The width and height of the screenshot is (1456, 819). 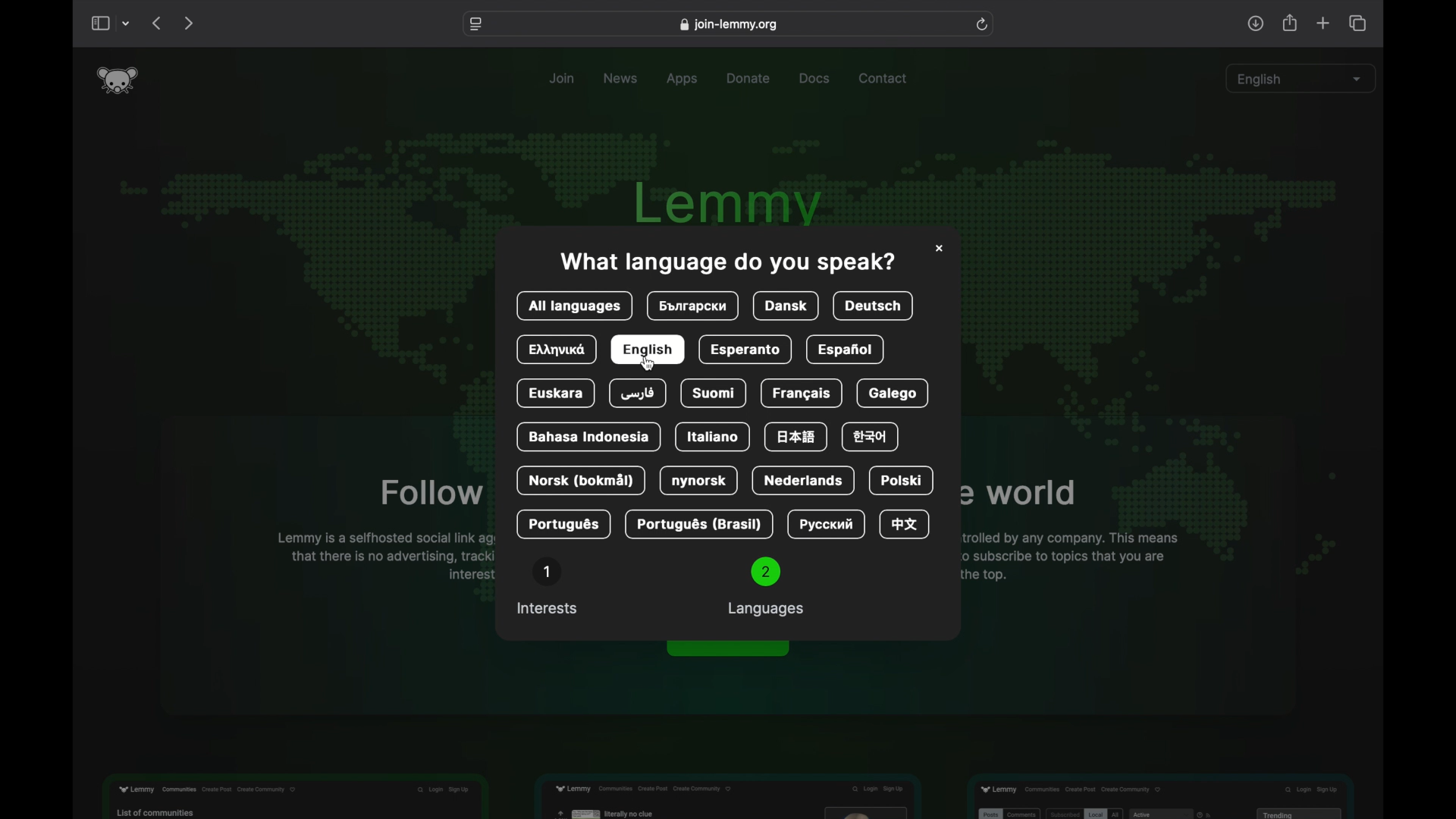 What do you see at coordinates (382, 557) in the screenshot?
I see `obscure text` at bounding box center [382, 557].